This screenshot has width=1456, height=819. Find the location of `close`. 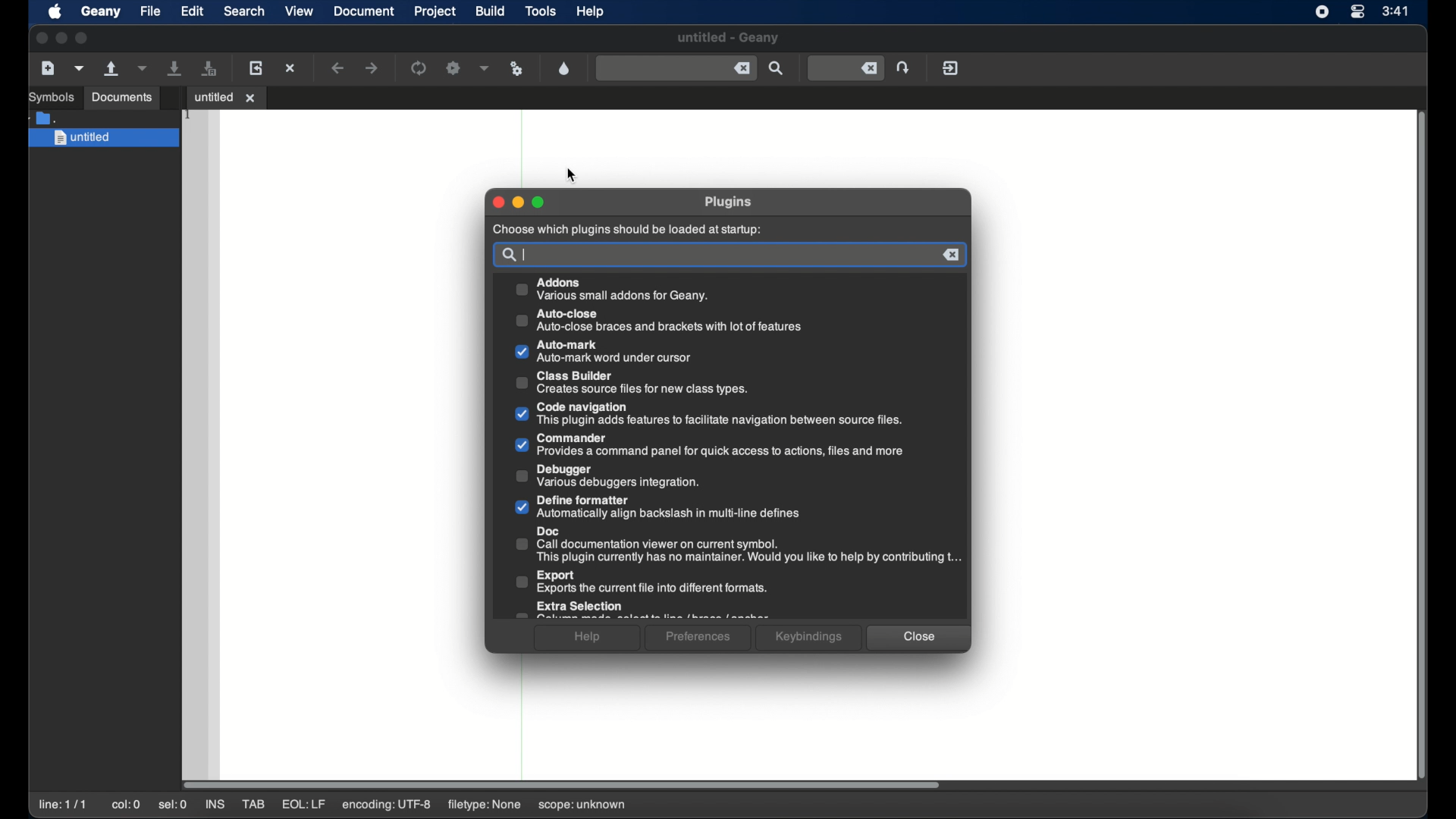

close is located at coordinates (496, 202).